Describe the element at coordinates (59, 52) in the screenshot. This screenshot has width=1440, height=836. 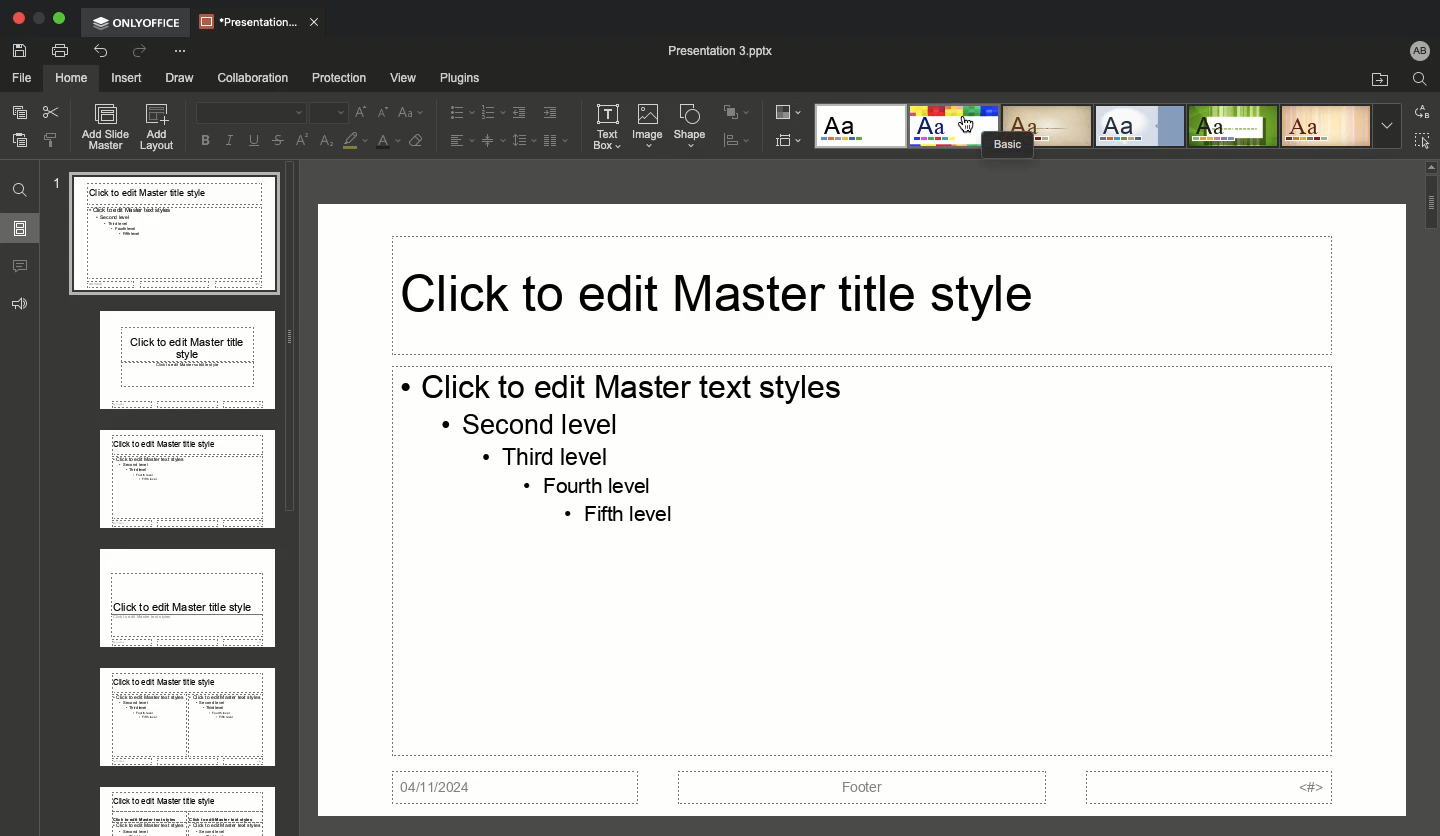
I see `Print` at that location.